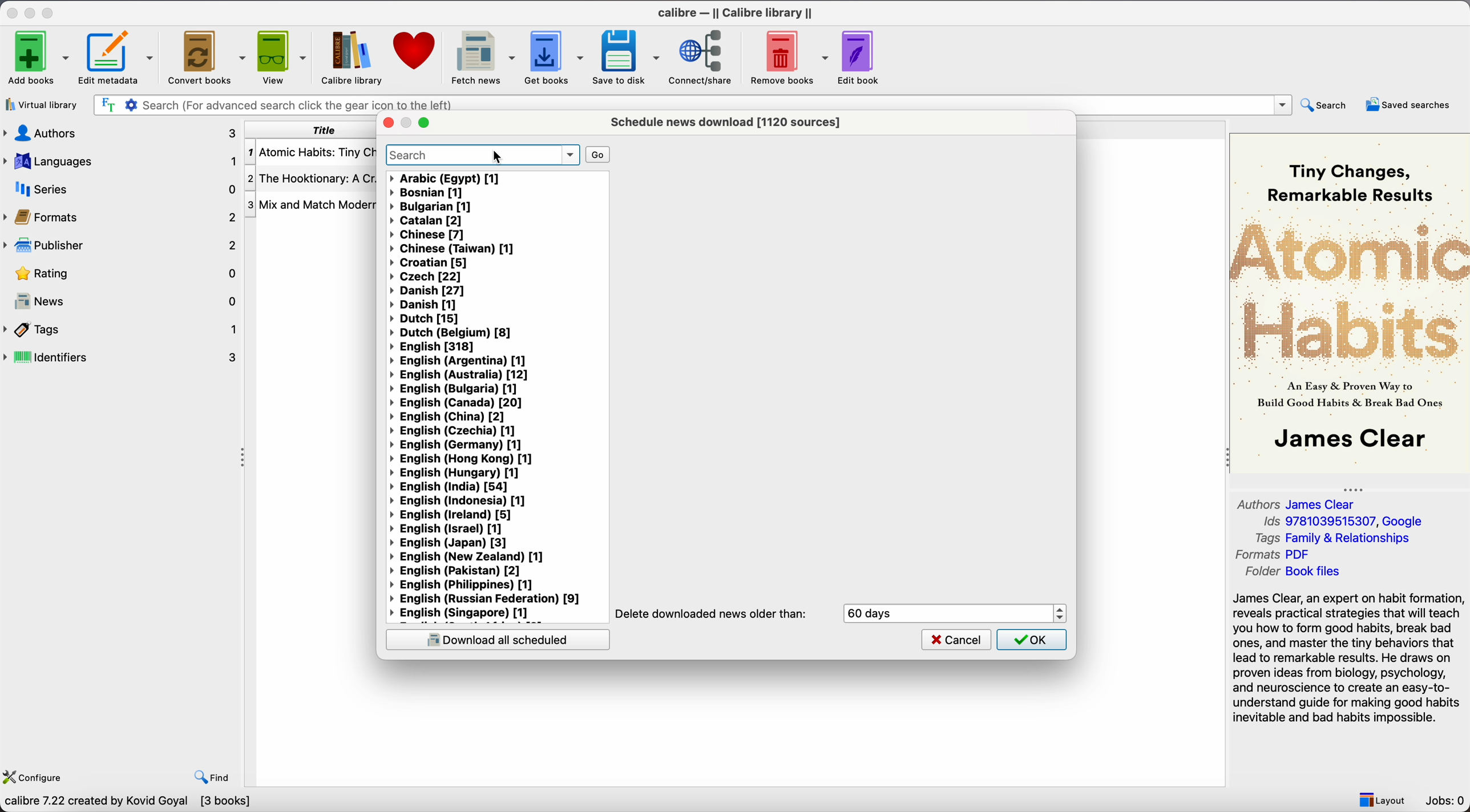 The width and height of the screenshot is (1470, 812). Describe the element at coordinates (122, 134) in the screenshot. I see `authors` at that location.